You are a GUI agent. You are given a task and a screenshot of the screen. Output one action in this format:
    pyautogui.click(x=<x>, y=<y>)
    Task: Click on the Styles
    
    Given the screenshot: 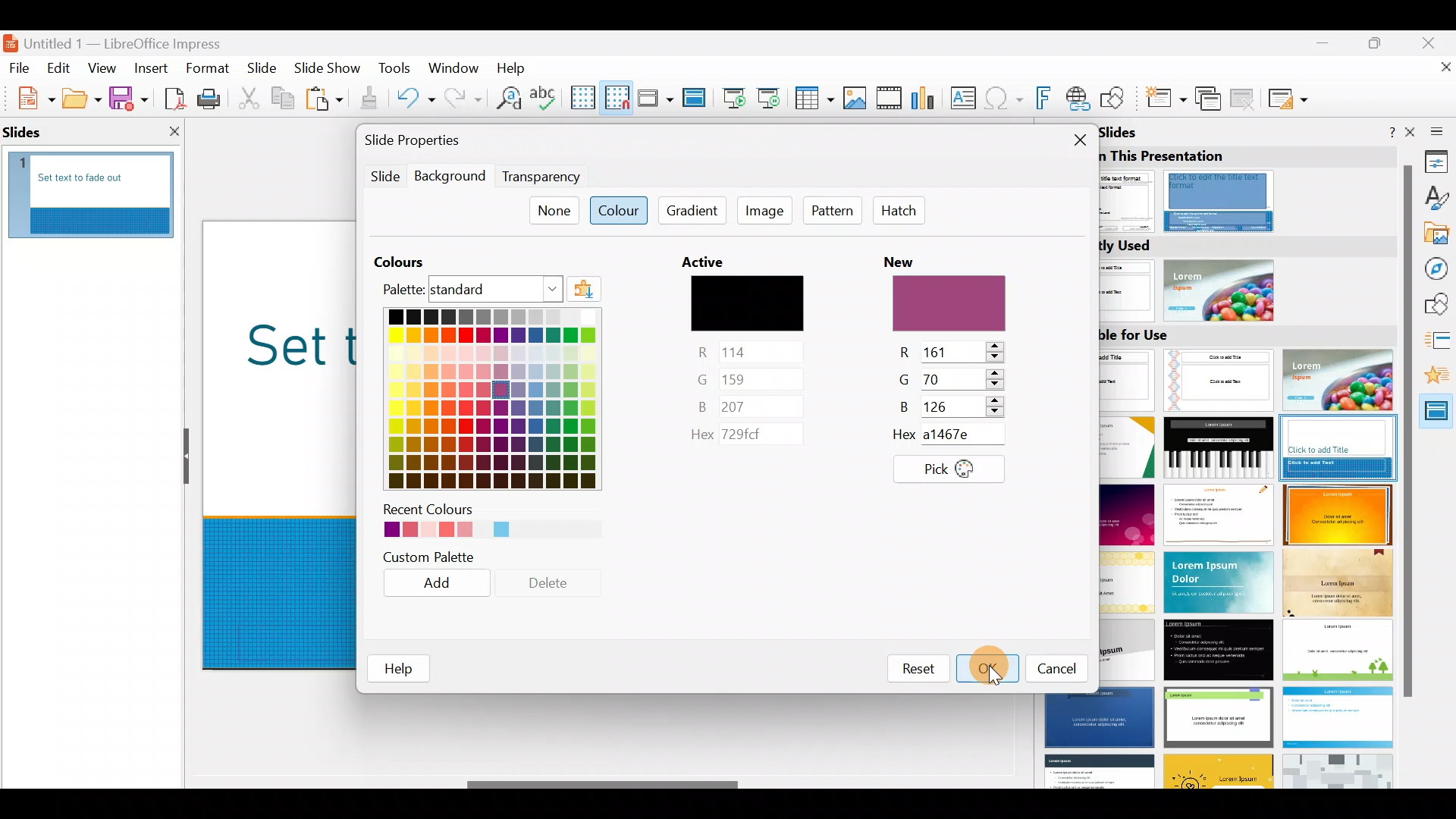 What is the action you would take?
    pyautogui.click(x=1437, y=200)
    